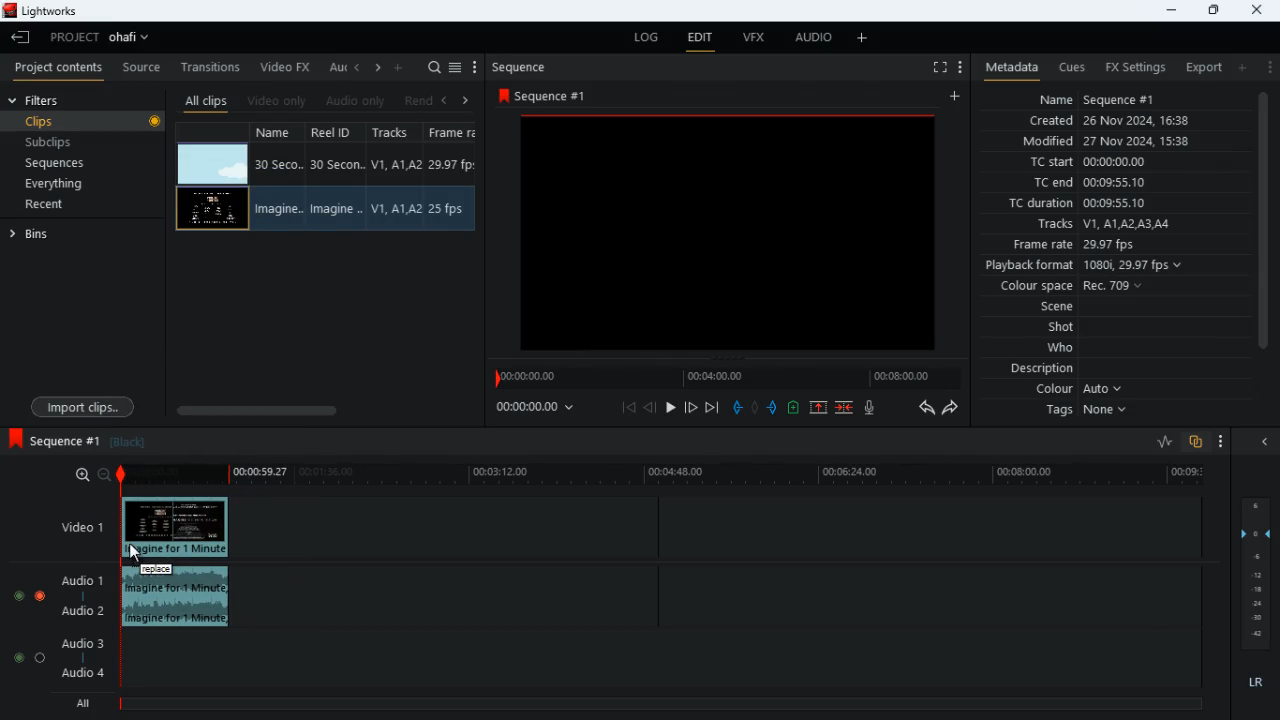 This screenshot has width=1280, height=720. I want to click on metadata, so click(1007, 68).